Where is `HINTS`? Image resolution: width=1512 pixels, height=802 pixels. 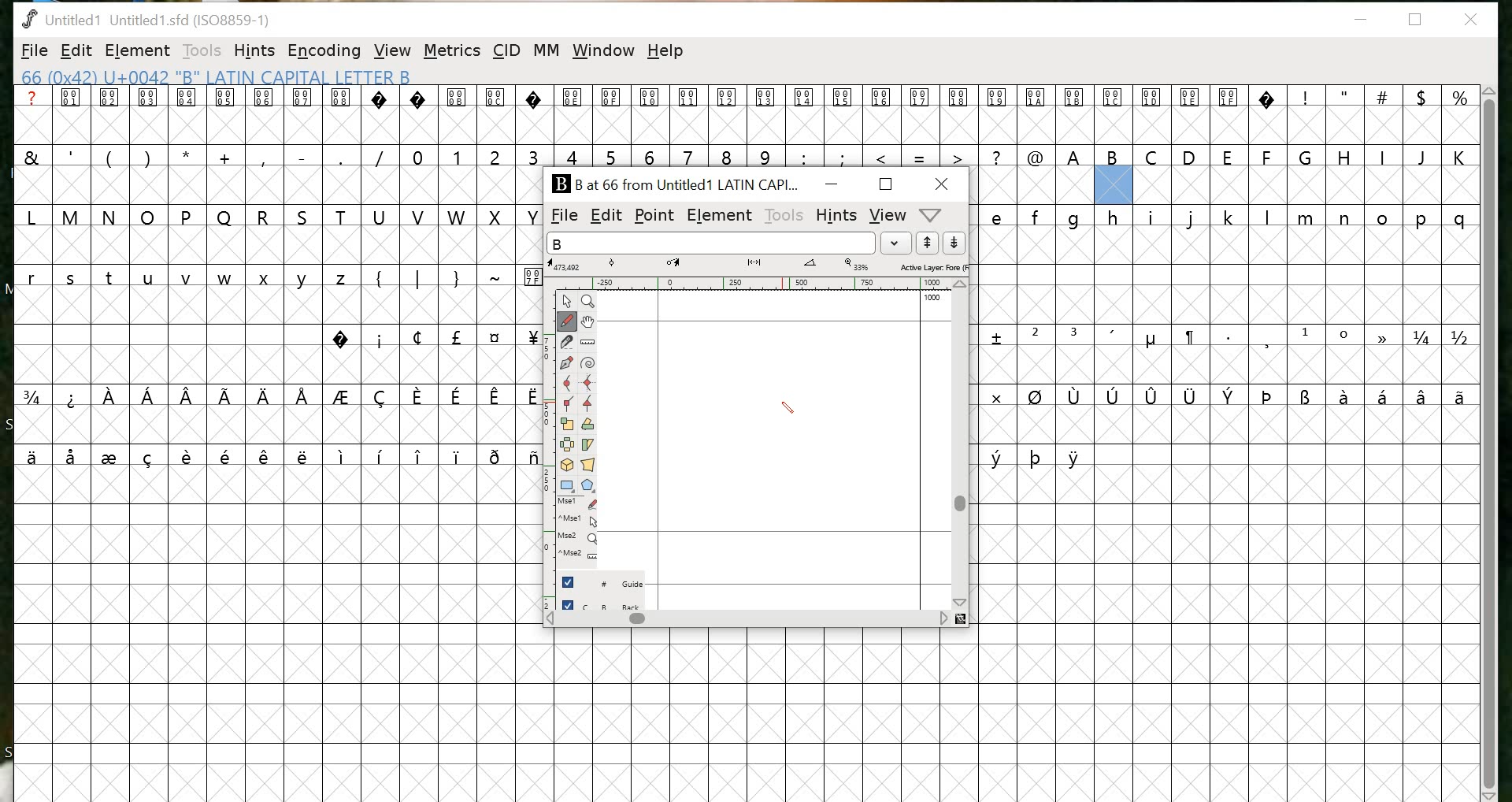
HINTS is located at coordinates (836, 214).